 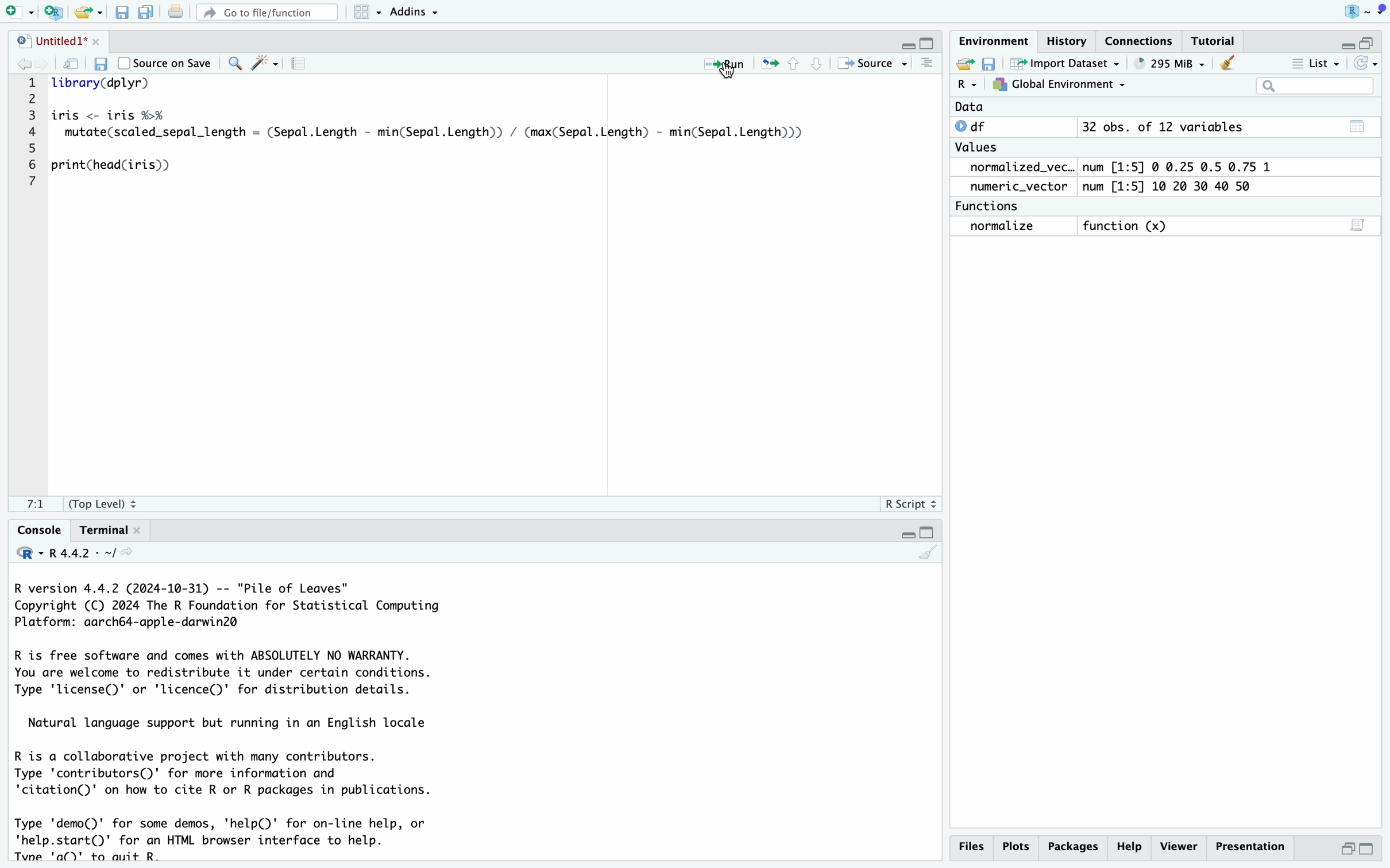 What do you see at coordinates (871, 63) in the screenshot?
I see `Source` at bounding box center [871, 63].